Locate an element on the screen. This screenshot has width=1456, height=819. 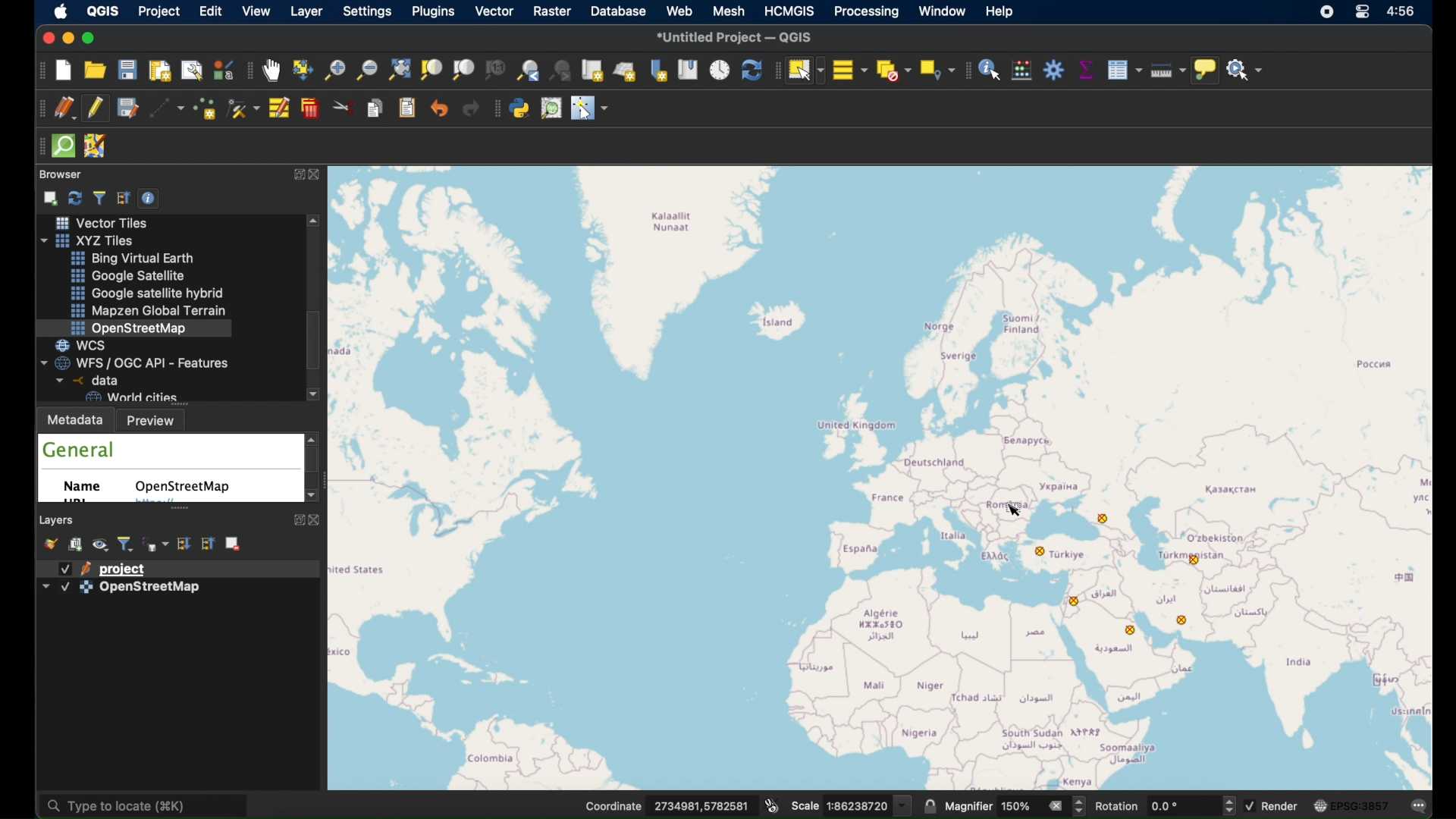
openstreetmap is located at coordinates (186, 487).